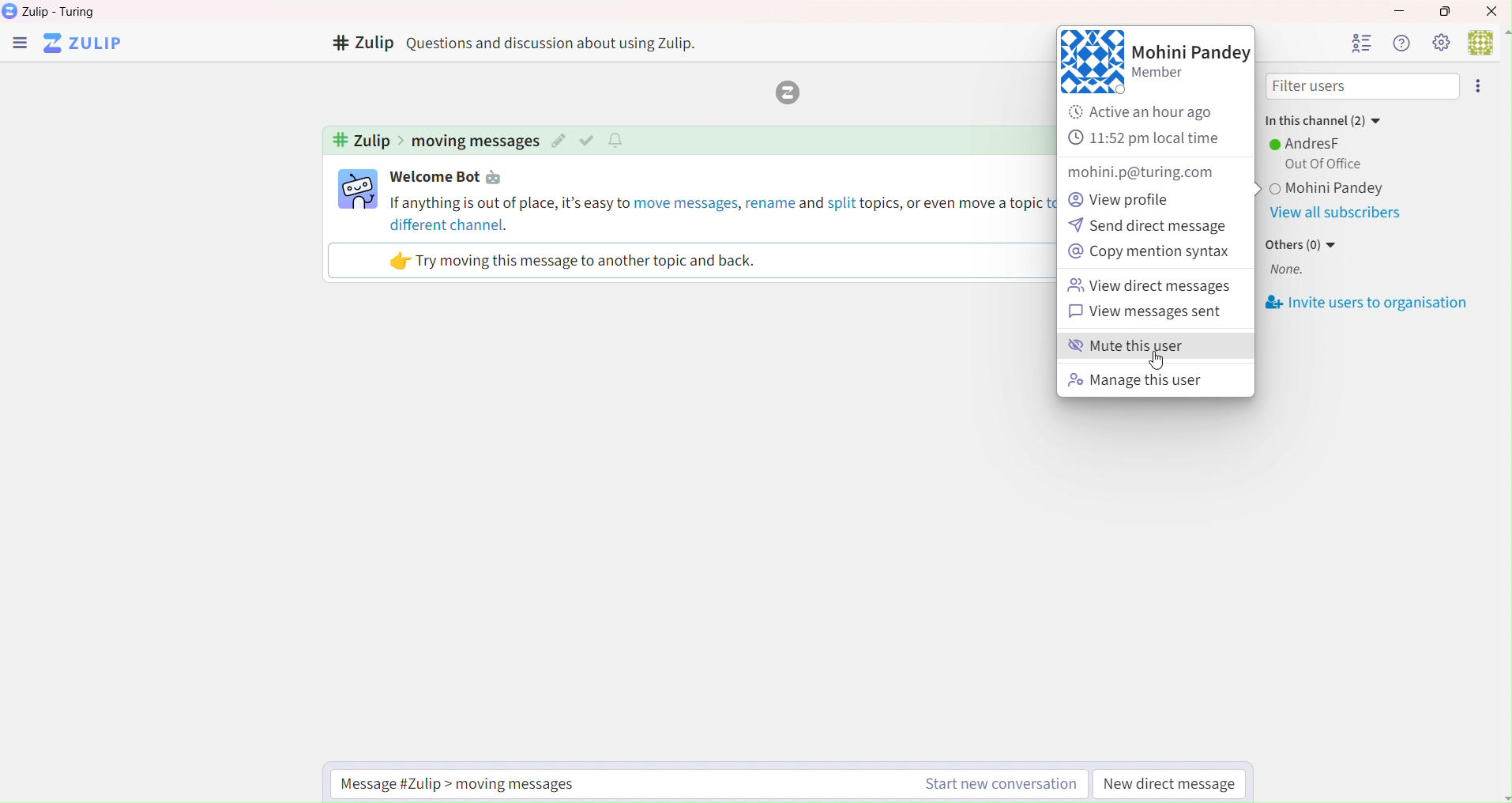 This screenshot has width=1512, height=803. Describe the element at coordinates (1493, 10) in the screenshot. I see `Close` at that location.